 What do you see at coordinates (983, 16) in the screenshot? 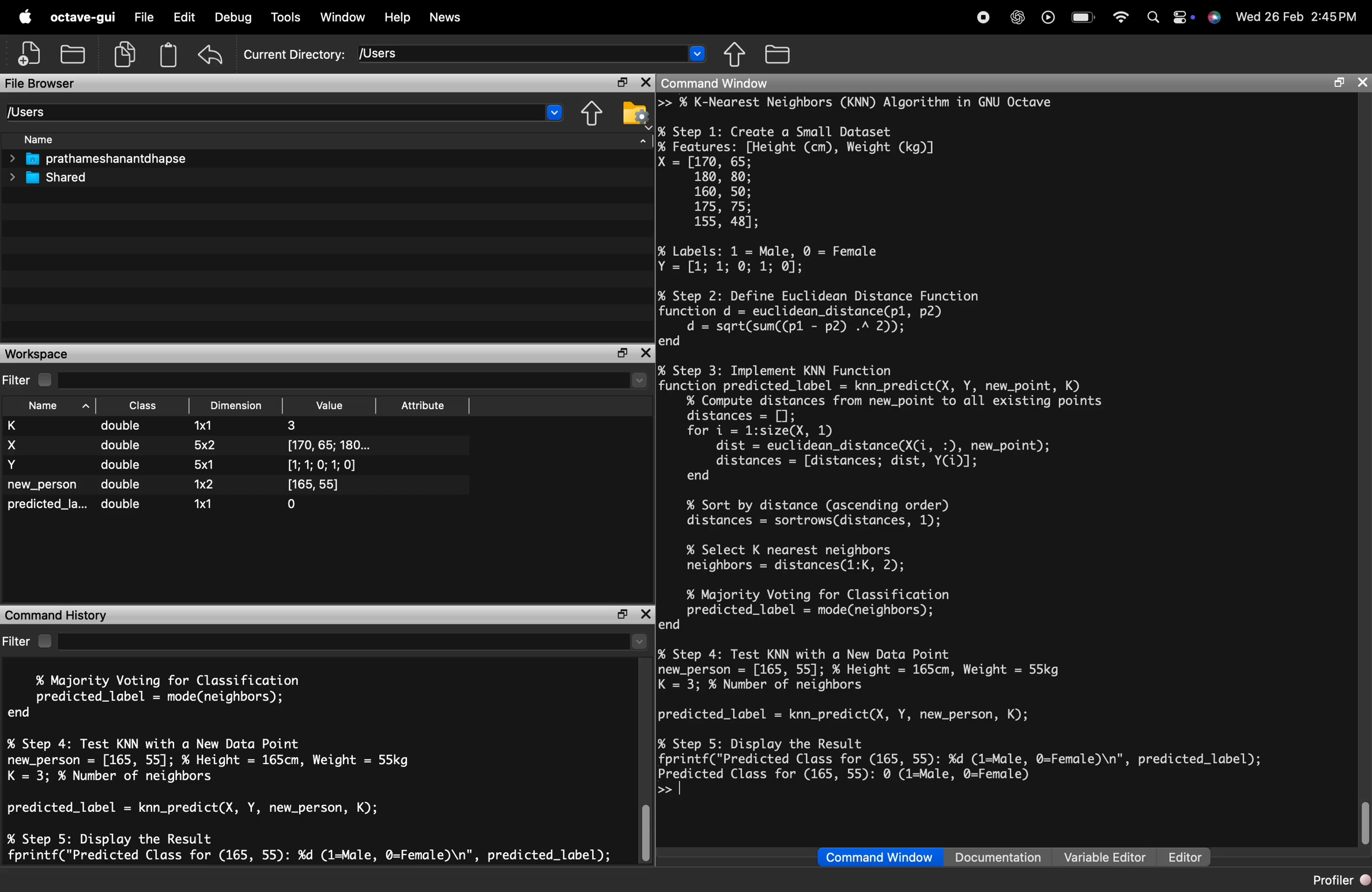
I see `stop` at bounding box center [983, 16].